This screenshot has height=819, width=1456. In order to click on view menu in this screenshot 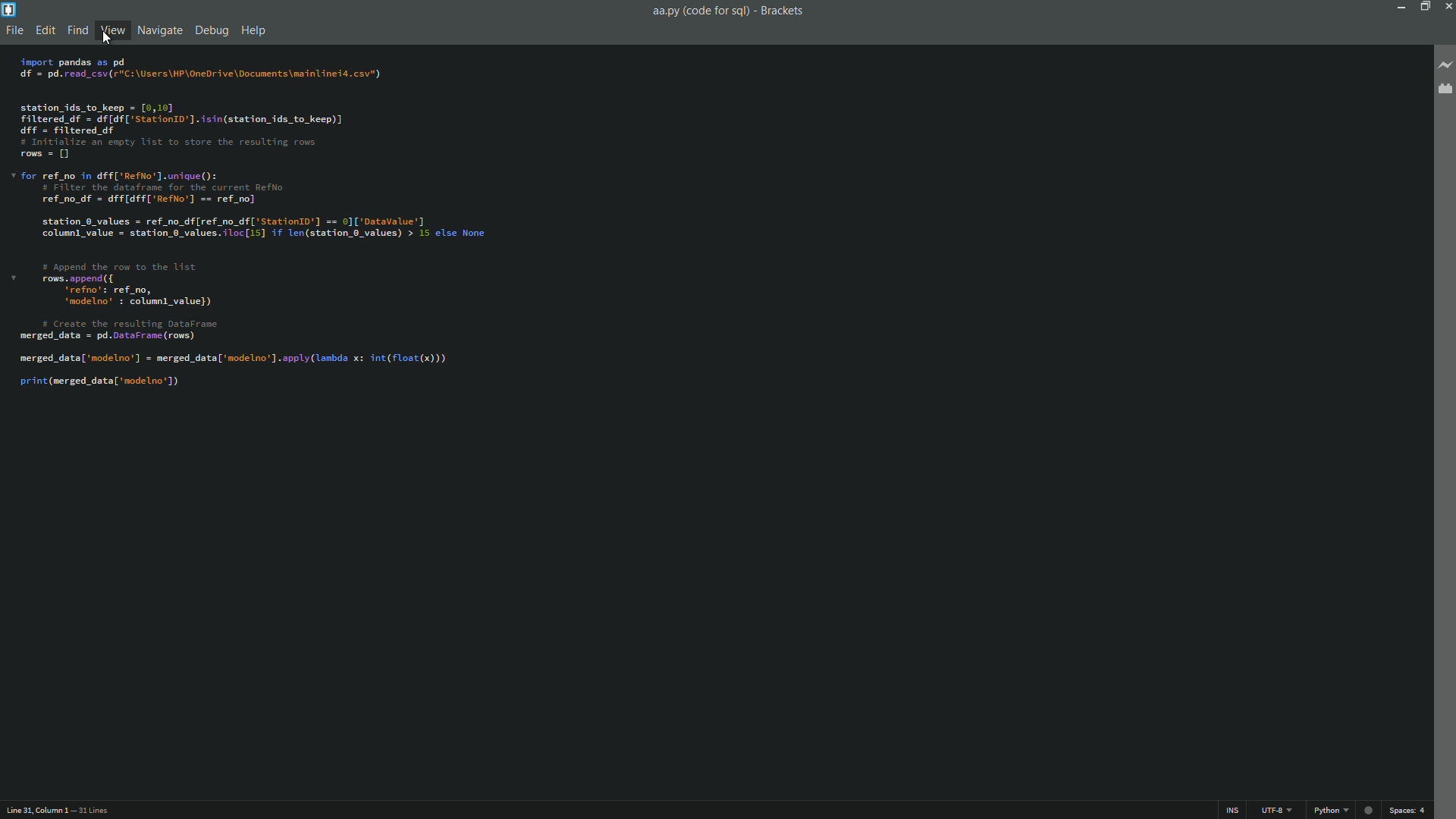, I will do `click(111, 30)`.